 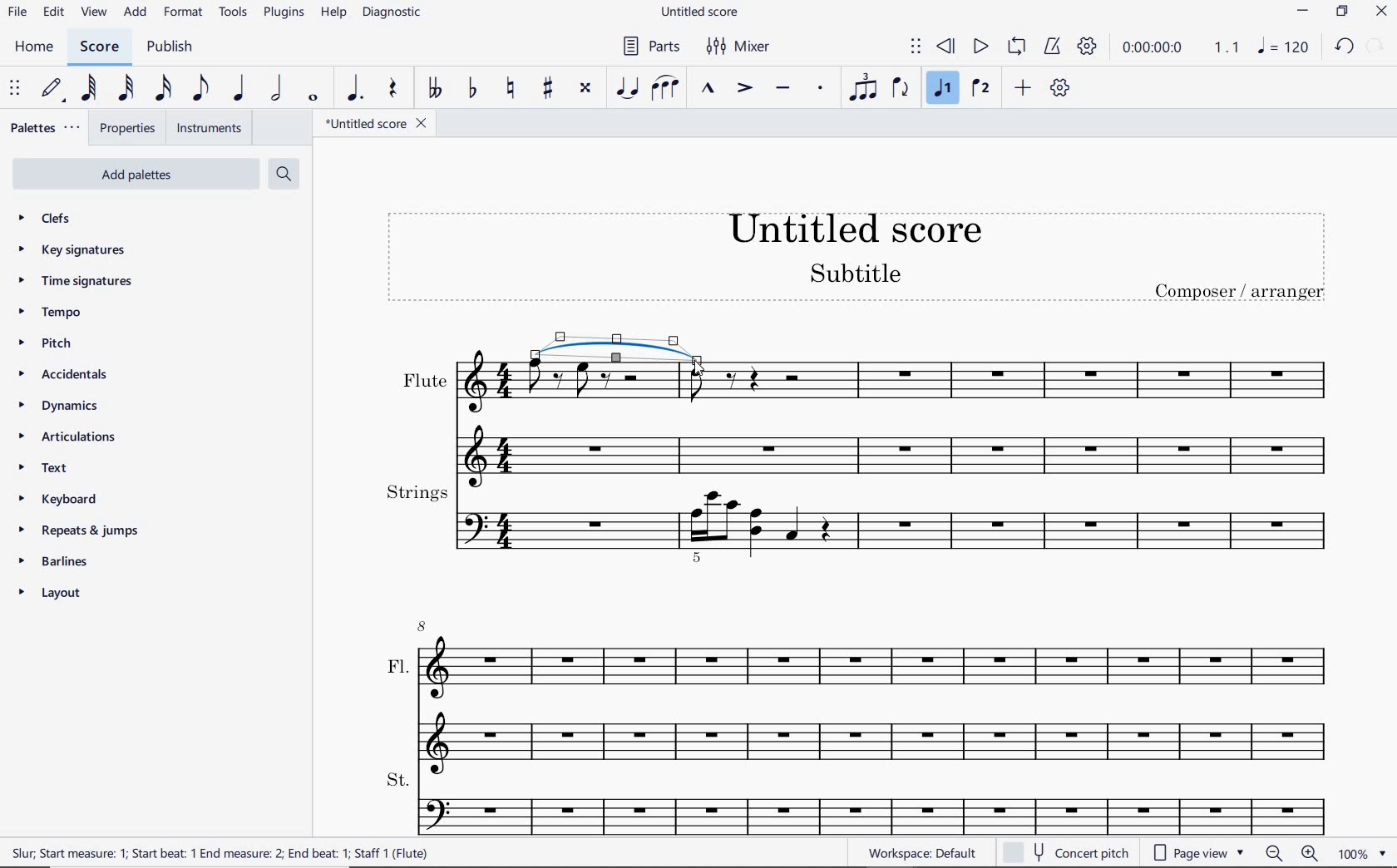 I want to click on file name, so click(x=701, y=12).